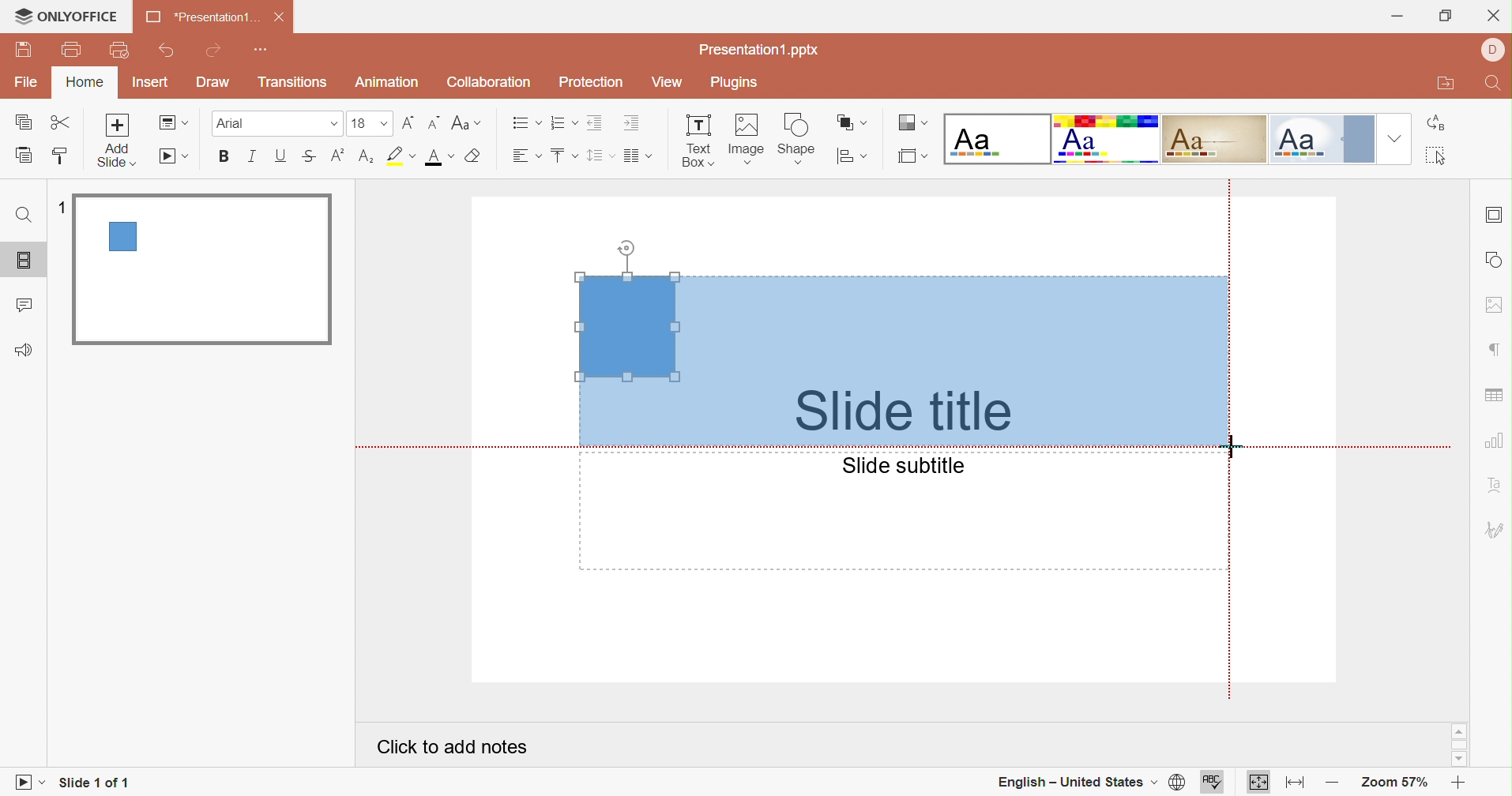 This screenshot has width=1512, height=796. I want to click on Decrease indent, so click(596, 122).